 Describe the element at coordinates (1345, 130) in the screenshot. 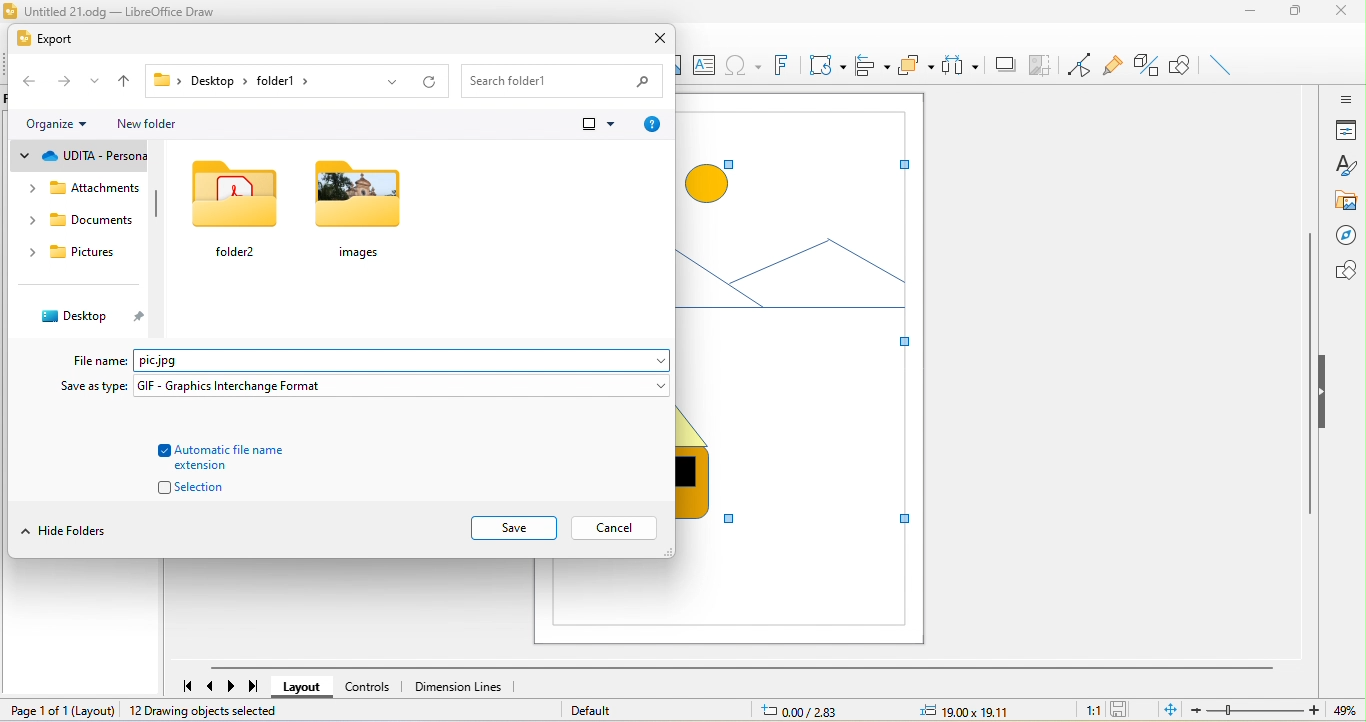

I see `properties` at that location.